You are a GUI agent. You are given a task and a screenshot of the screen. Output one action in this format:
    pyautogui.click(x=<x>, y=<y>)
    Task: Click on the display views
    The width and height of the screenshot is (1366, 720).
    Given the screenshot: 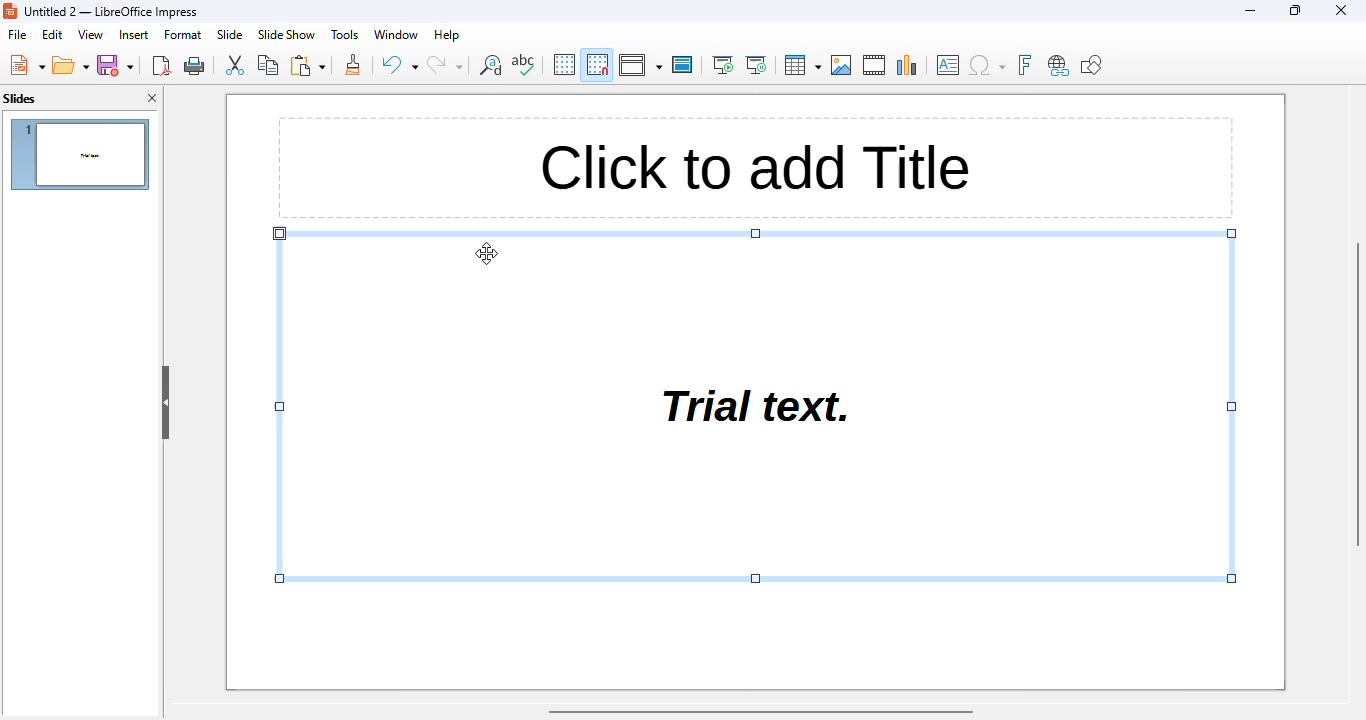 What is the action you would take?
    pyautogui.click(x=641, y=65)
    